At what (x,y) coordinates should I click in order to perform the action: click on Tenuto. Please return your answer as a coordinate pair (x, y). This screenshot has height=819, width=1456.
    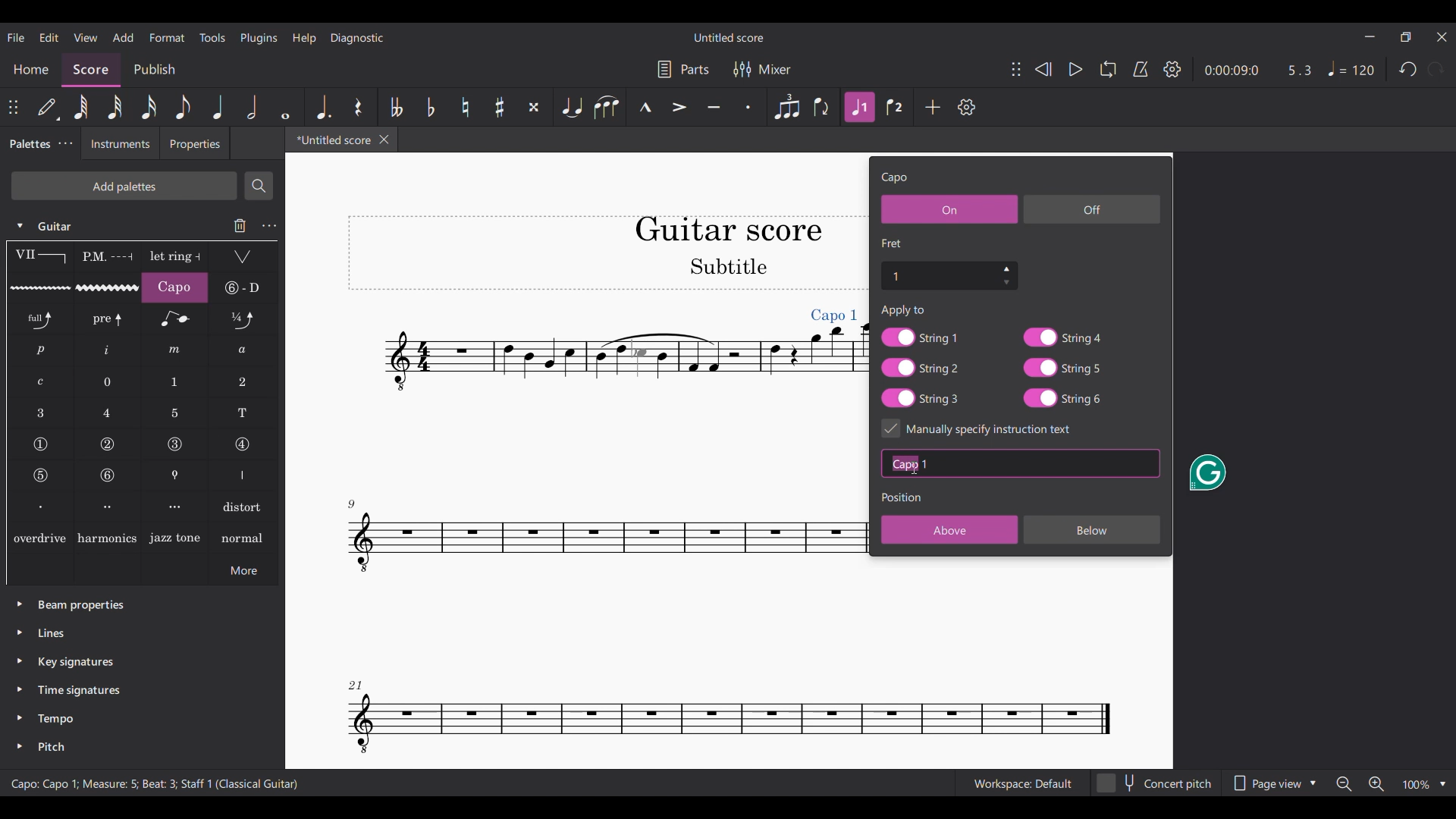
    Looking at the image, I should click on (714, 107).